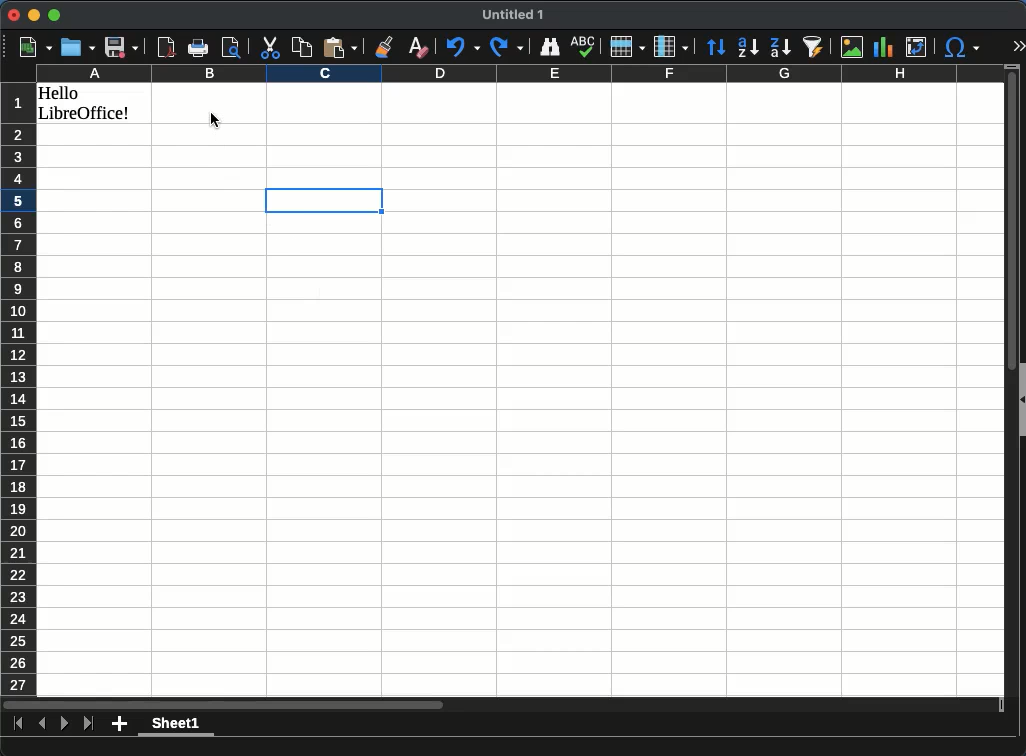 The image size is (1026, 756). Describe the element at coordinates (550, 47) in the screenshot. I see `finder` at that location.